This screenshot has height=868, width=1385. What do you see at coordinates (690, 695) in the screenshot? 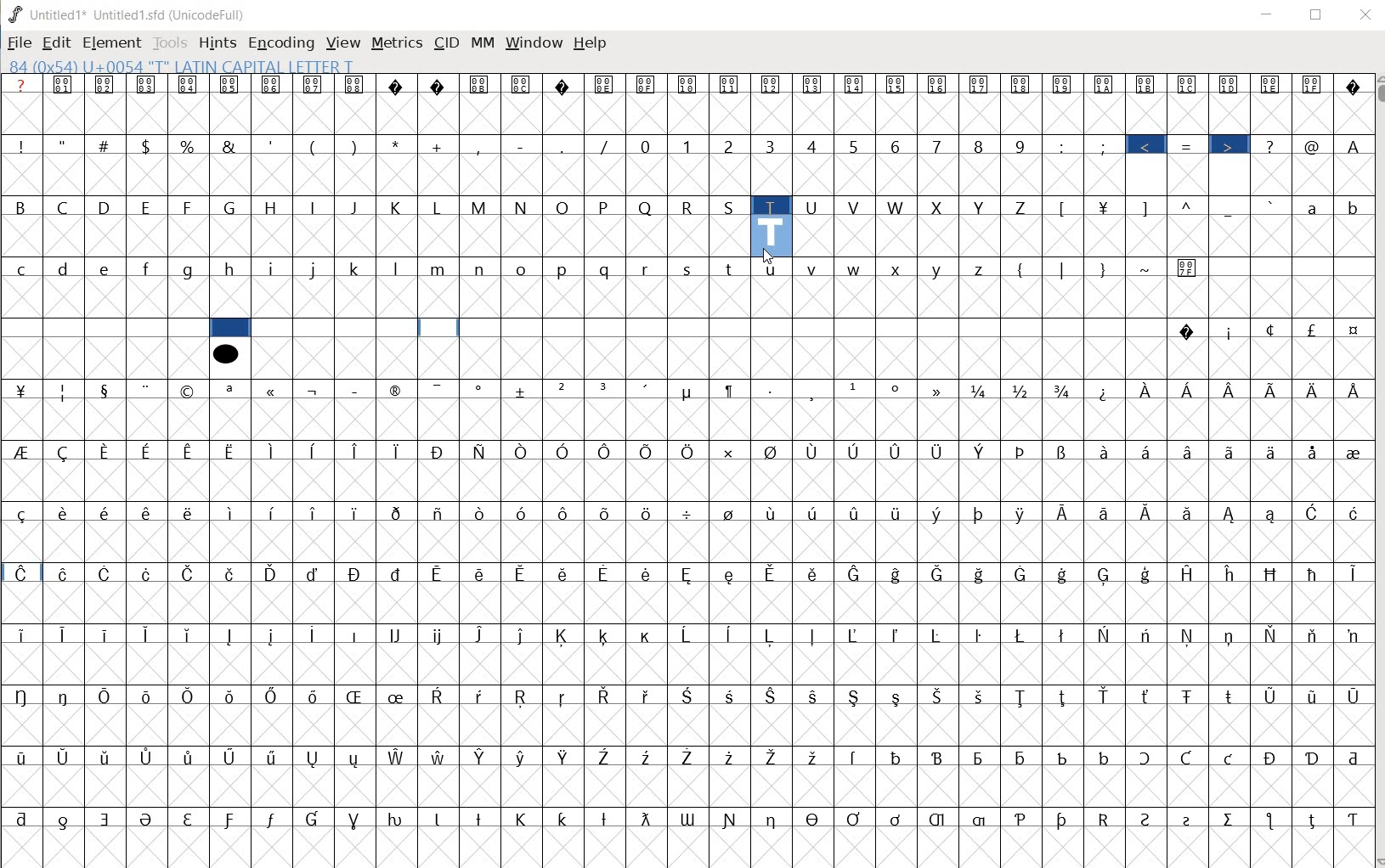
I see `Symbol` at bounding box center [690, 695].